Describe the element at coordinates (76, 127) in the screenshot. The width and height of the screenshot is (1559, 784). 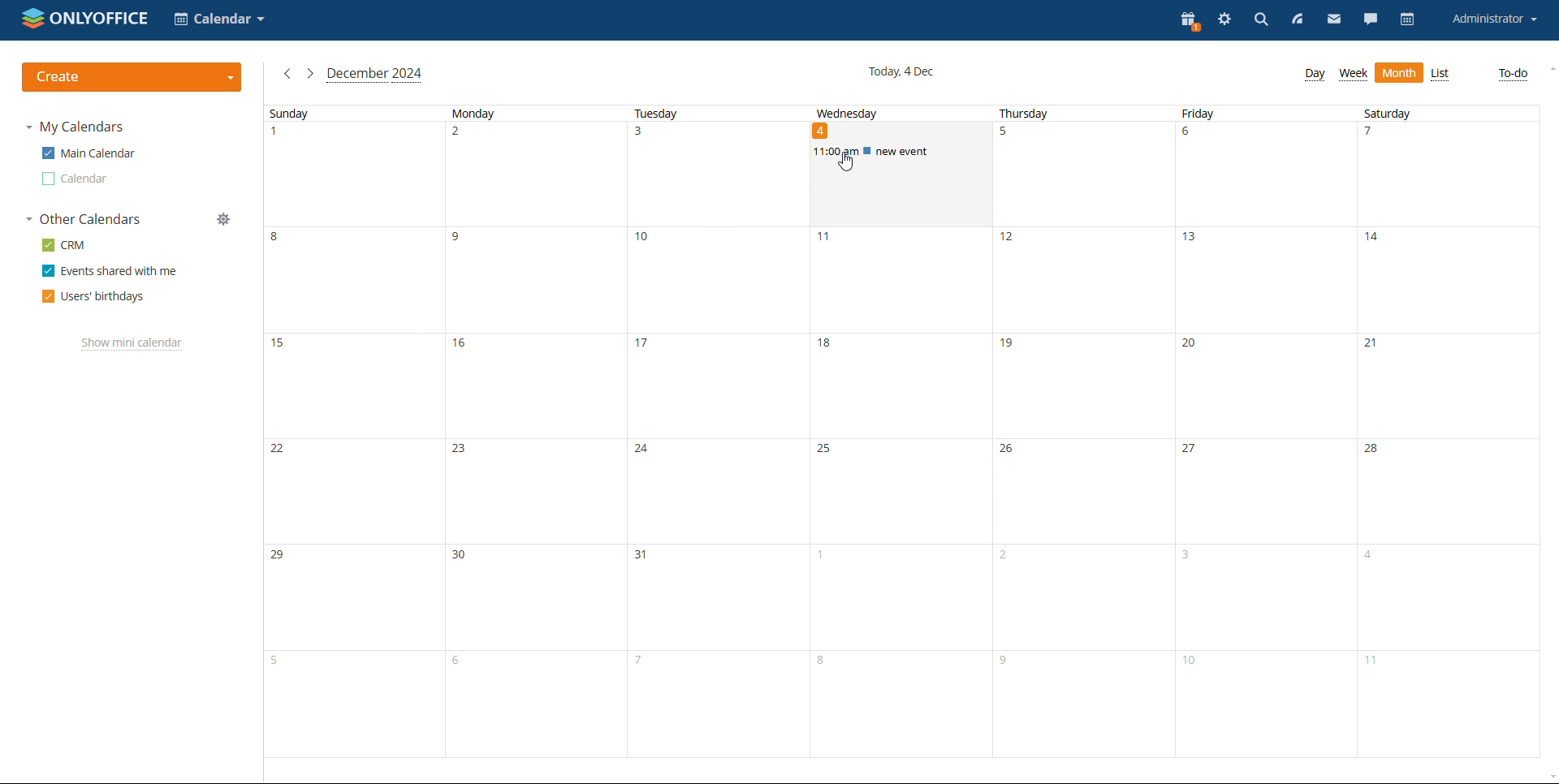
I see `my calendars` at that location.